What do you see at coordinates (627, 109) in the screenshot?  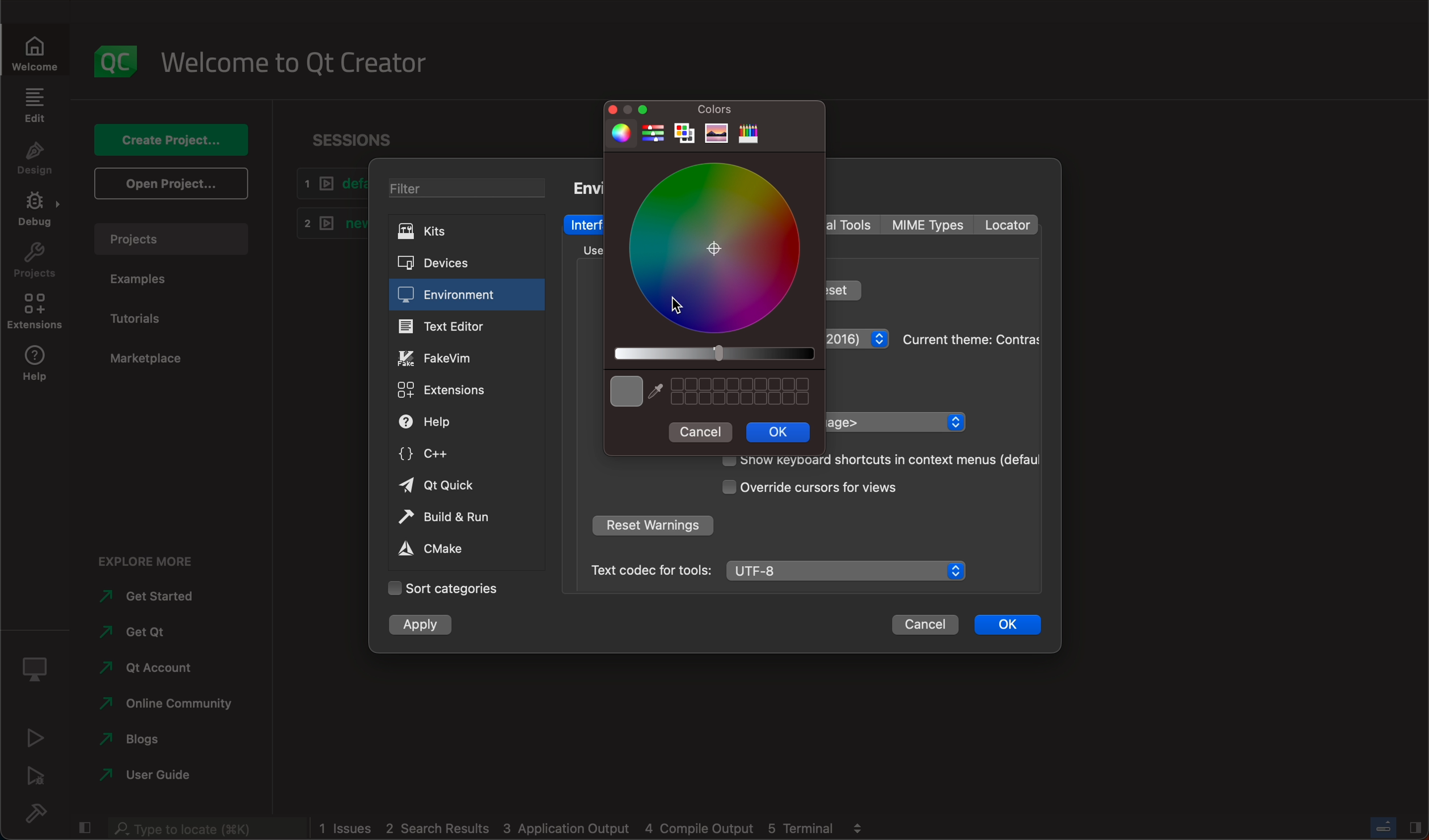 I see `resize` at bounding box center [627, 109].